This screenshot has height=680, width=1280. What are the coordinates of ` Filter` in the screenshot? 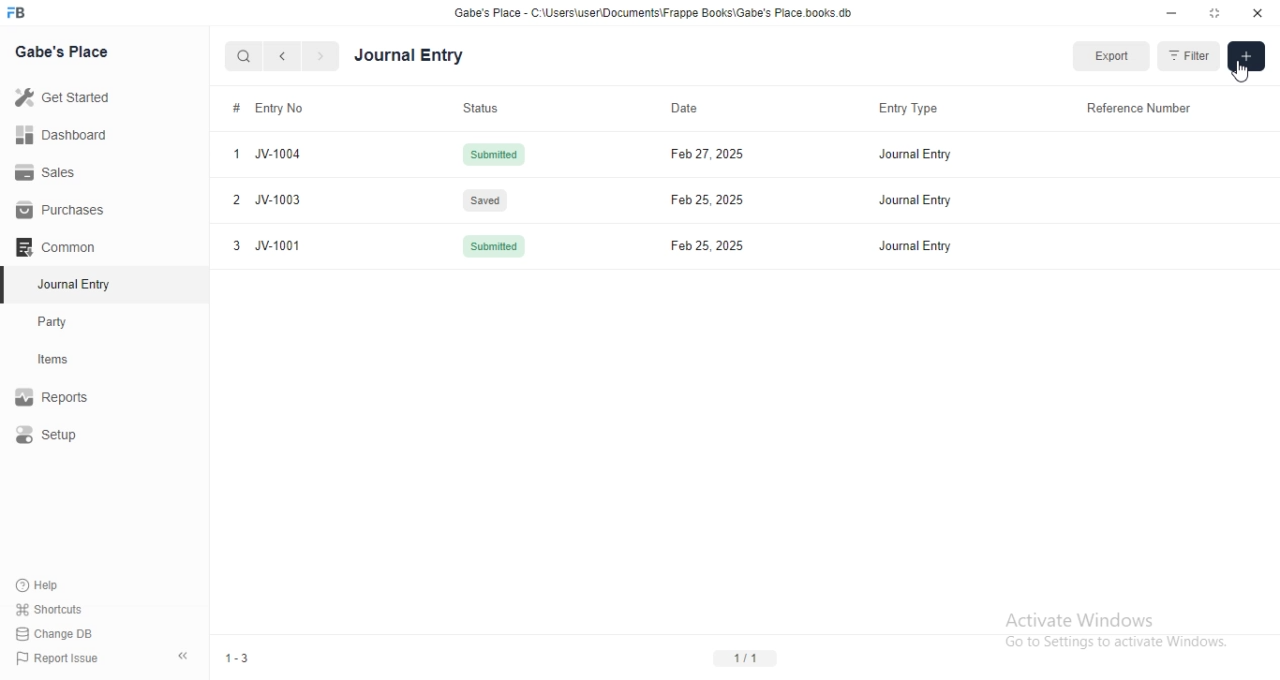 It's located at (1189, 56).